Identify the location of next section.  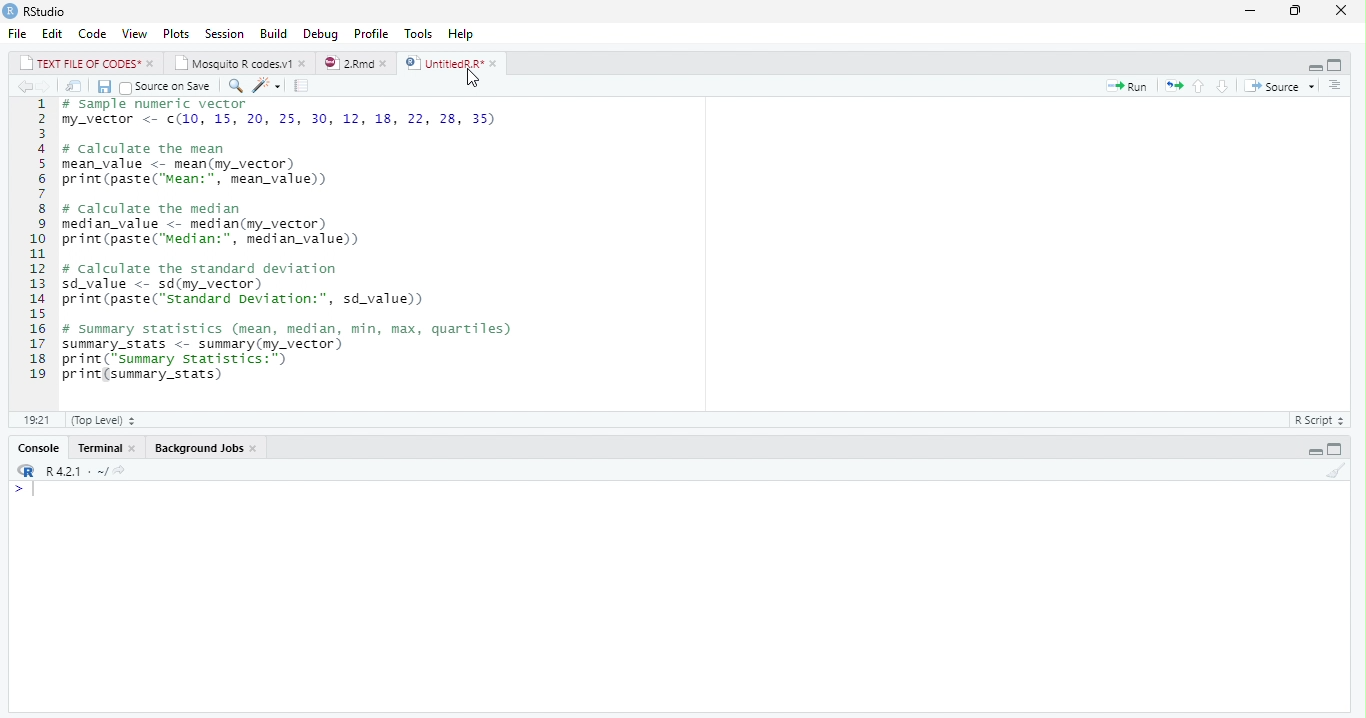
(1222, 87).